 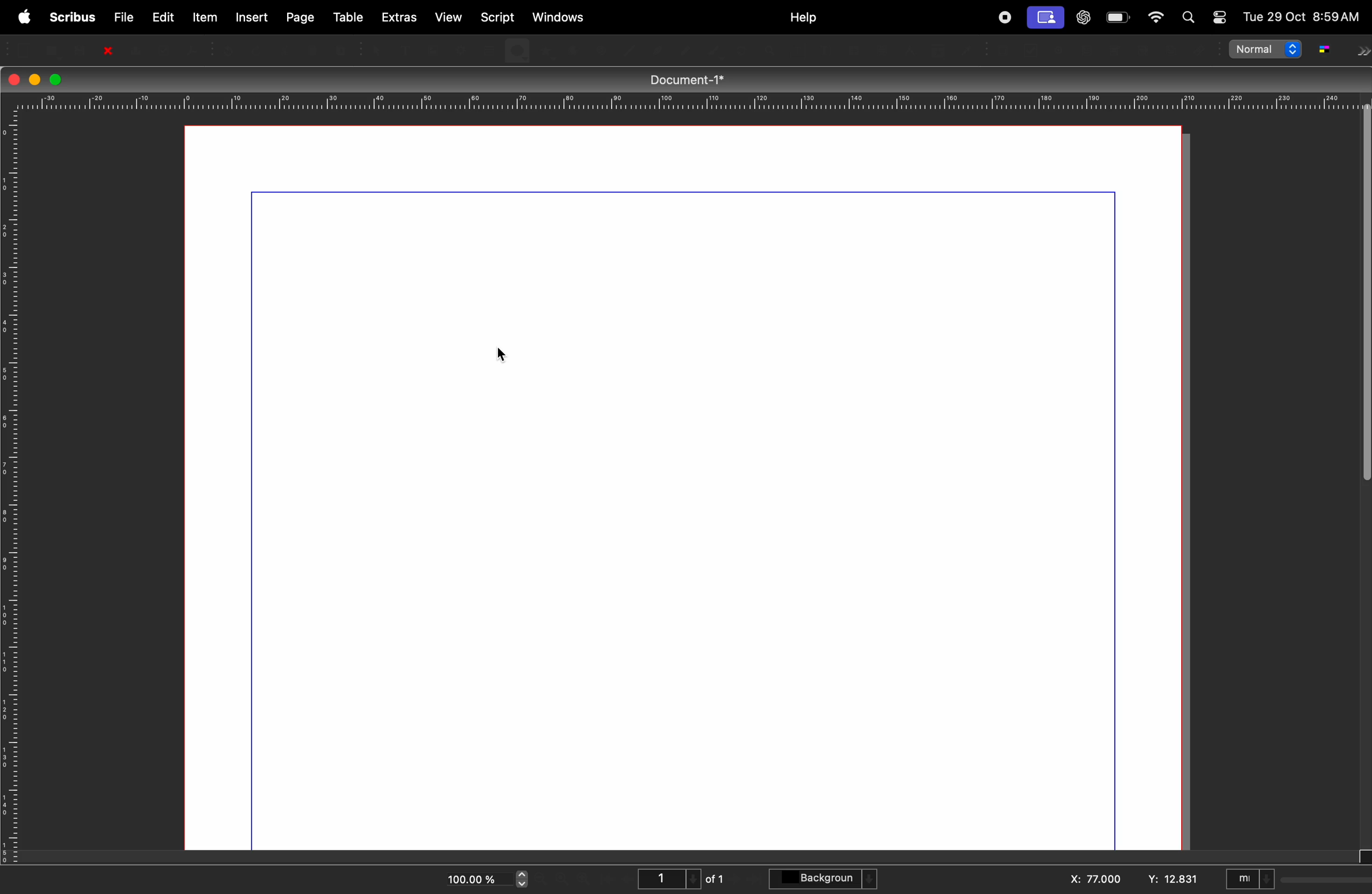 What do you see at coordinates (560, 16) in the screenshot?
I see `windows` at bounding box center [560, 16].